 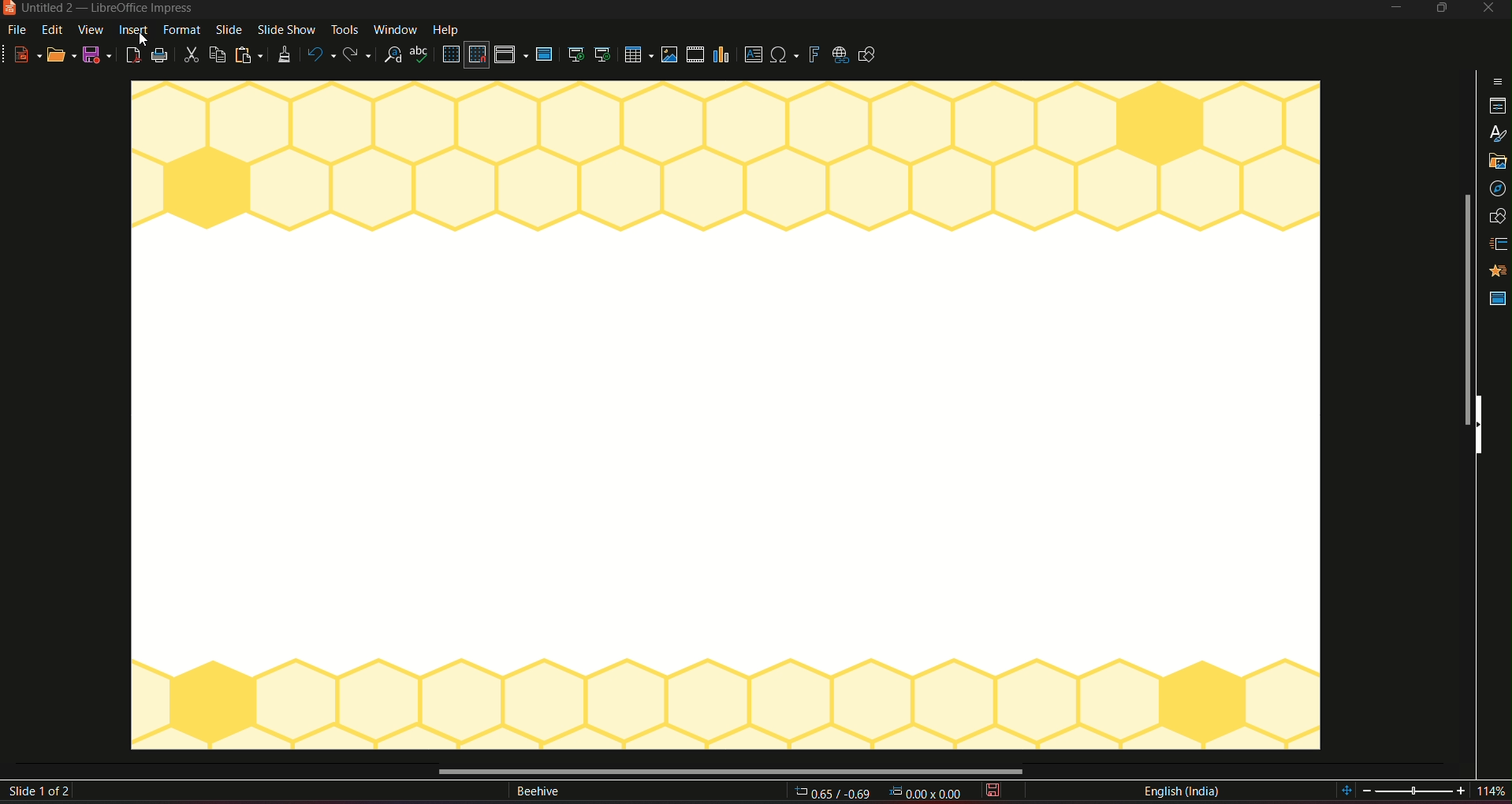 What do you see at coordinates (161, 55) in the screenshot?
I see `print` at bounding box center [161, 55].